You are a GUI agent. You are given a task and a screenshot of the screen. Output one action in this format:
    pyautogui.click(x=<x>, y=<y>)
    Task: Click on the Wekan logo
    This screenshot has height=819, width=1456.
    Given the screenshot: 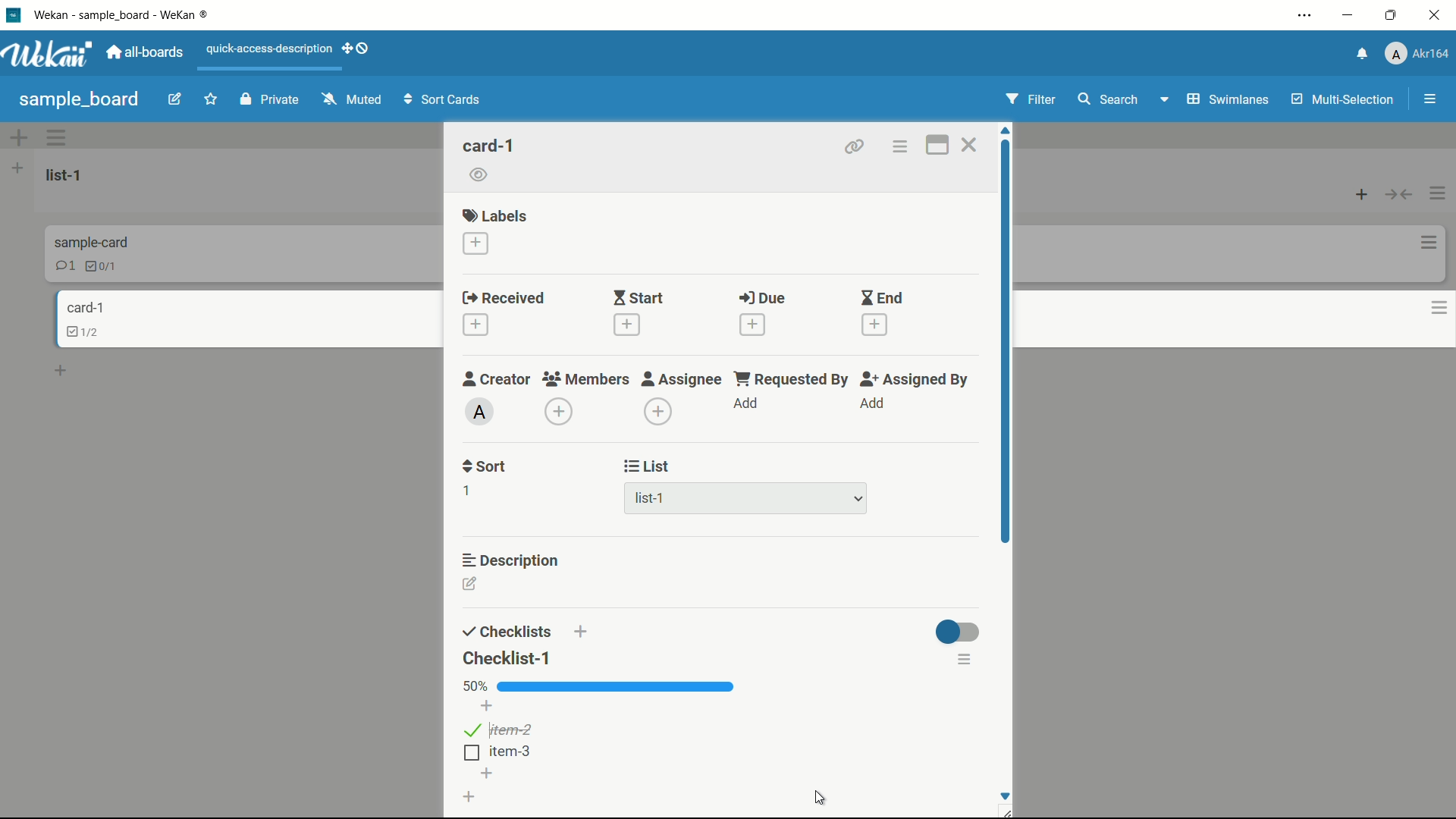 What is the action you would take?
    pyautogui.click(x=47, y=54)
    